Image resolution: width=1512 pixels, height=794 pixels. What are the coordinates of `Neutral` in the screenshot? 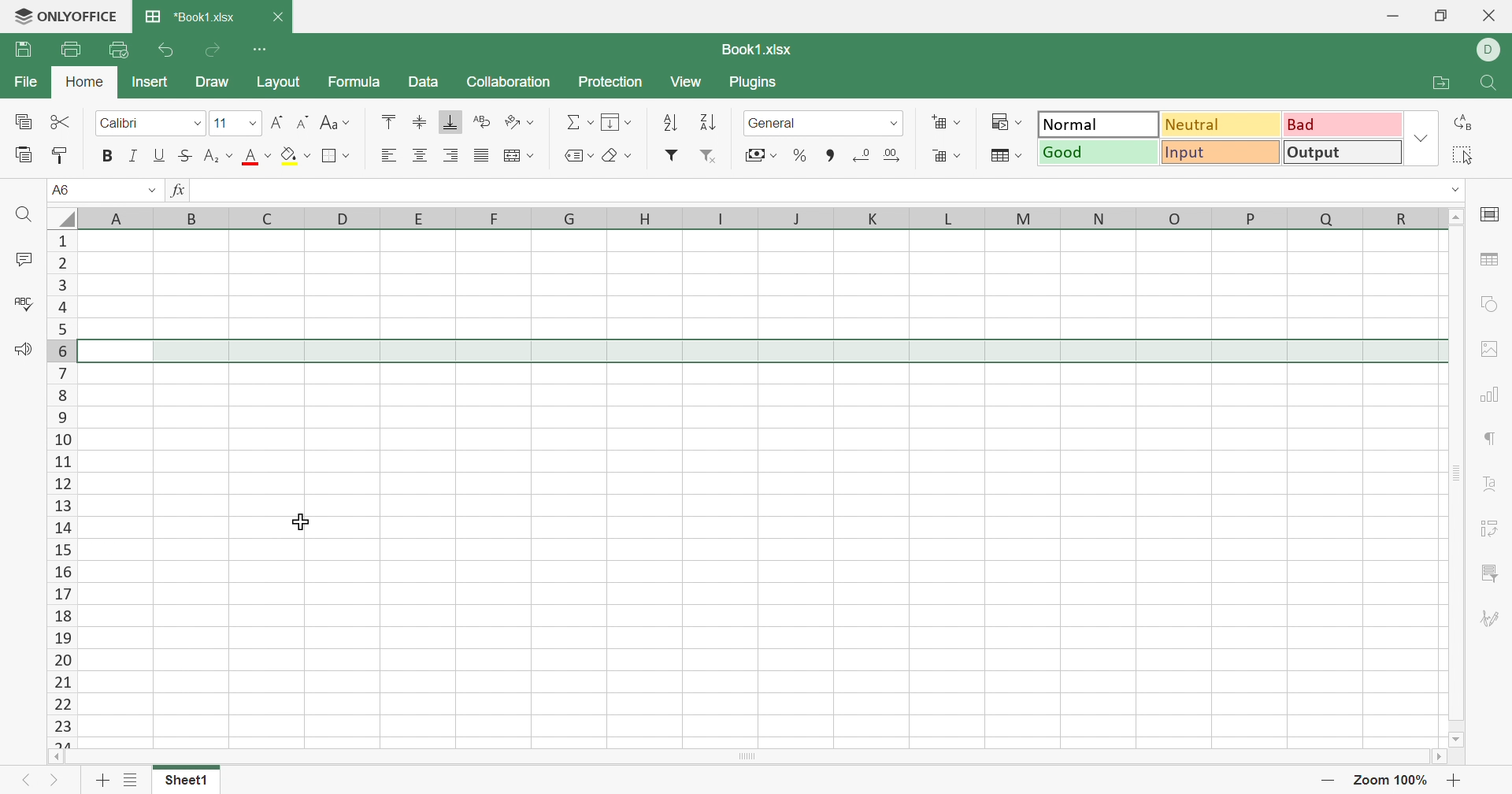 It's located at (1221, 125).